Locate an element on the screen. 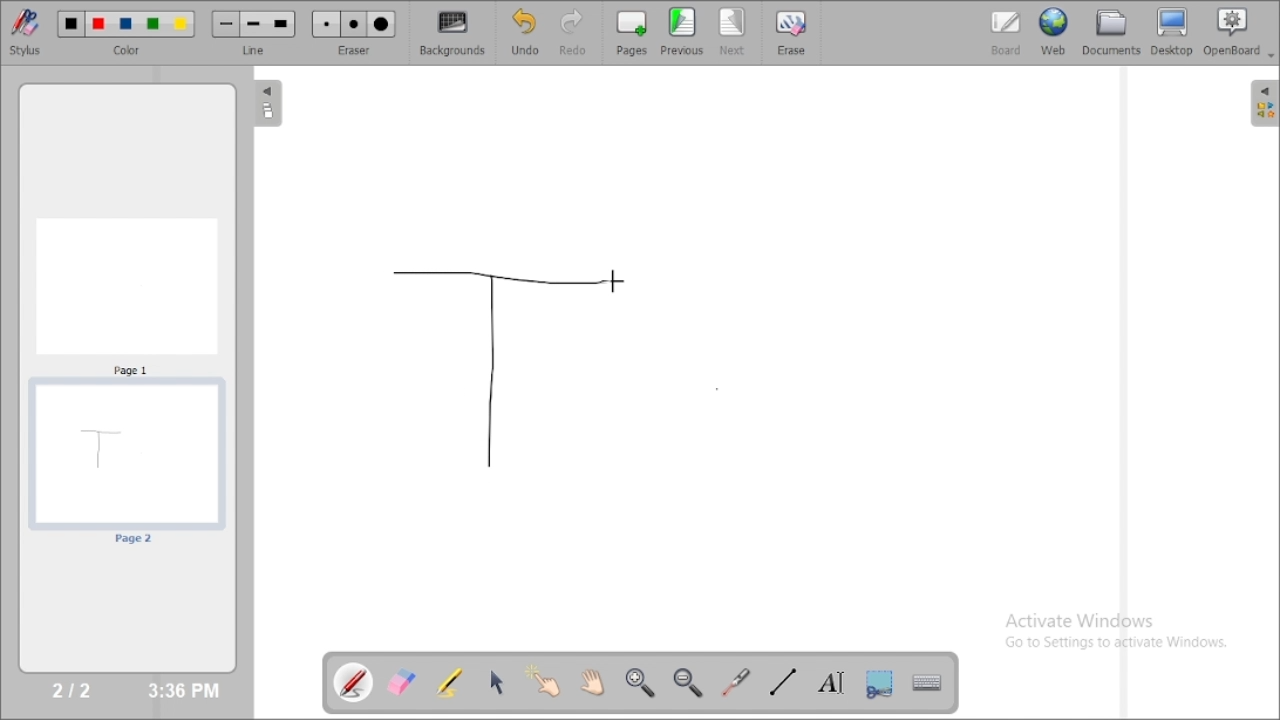  board is located at coordinates (1006, 33).